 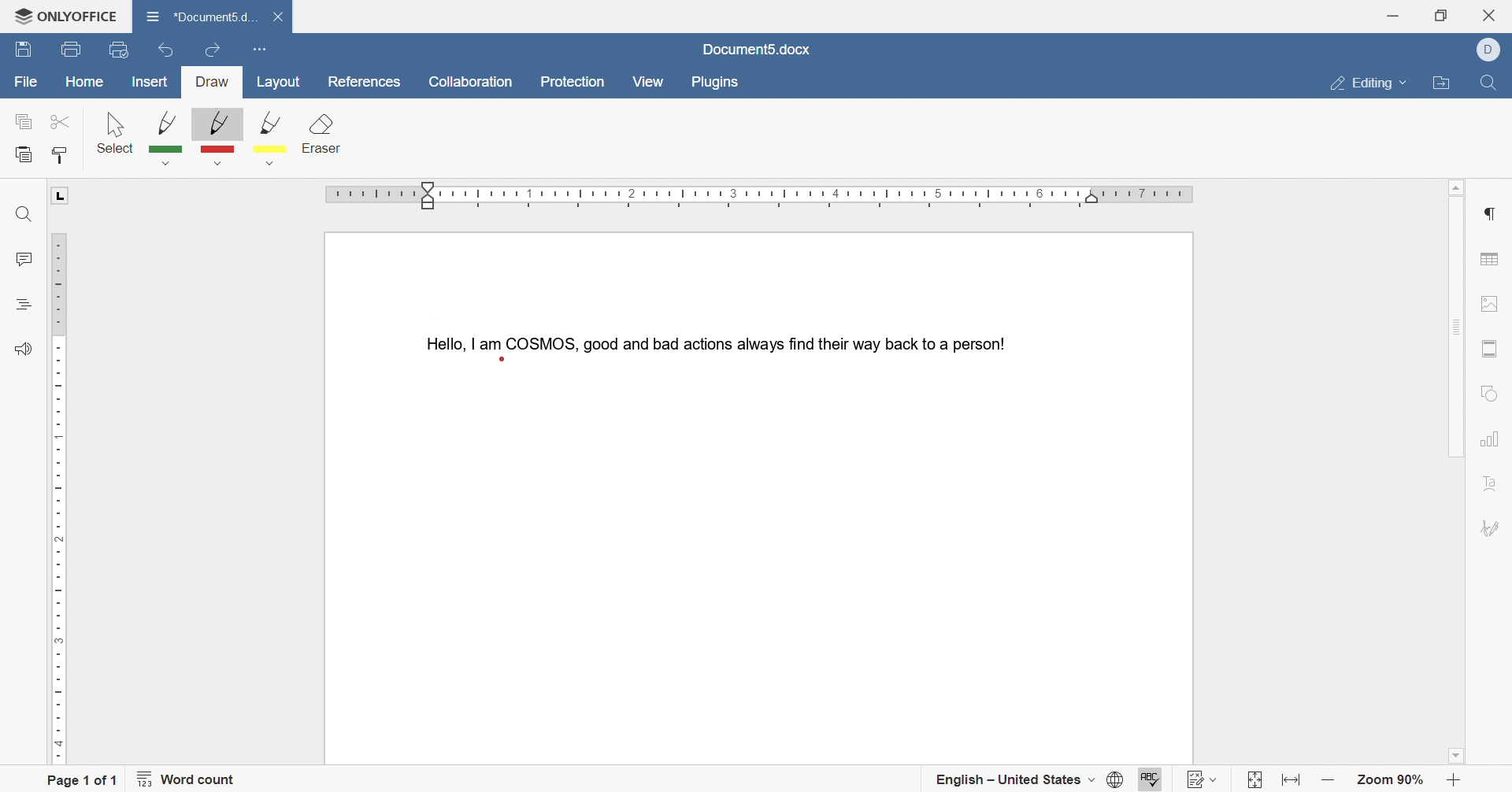 What do you see at coordinates (282, 83) in the screenshot?
I see `layout` at bounding box center [282, 83].